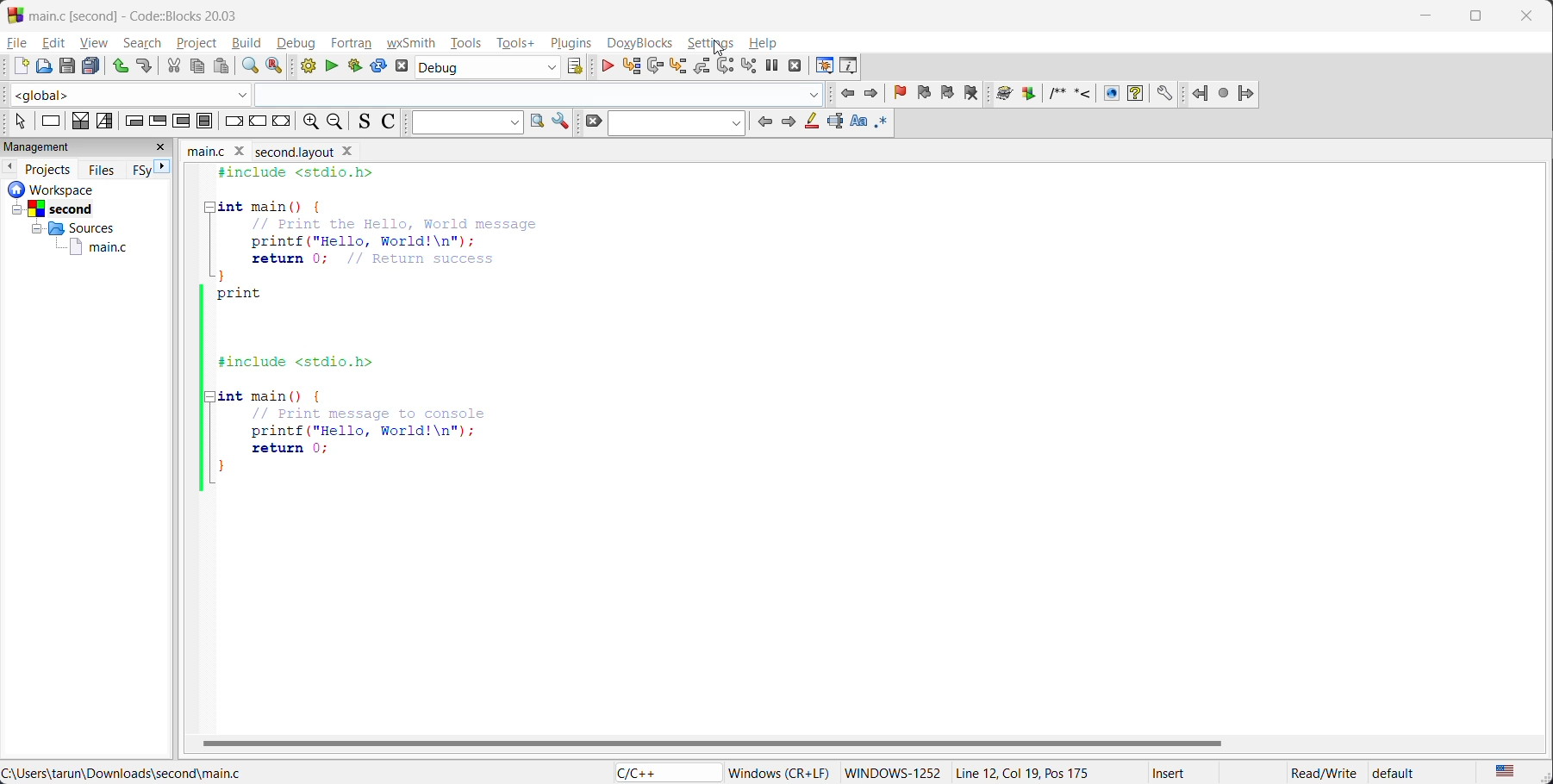 Image resolution: width=1553 pixels, height=784 pixels. Describe the element at coordinates (16, 44) in the screenshot. I see `file` at that location.